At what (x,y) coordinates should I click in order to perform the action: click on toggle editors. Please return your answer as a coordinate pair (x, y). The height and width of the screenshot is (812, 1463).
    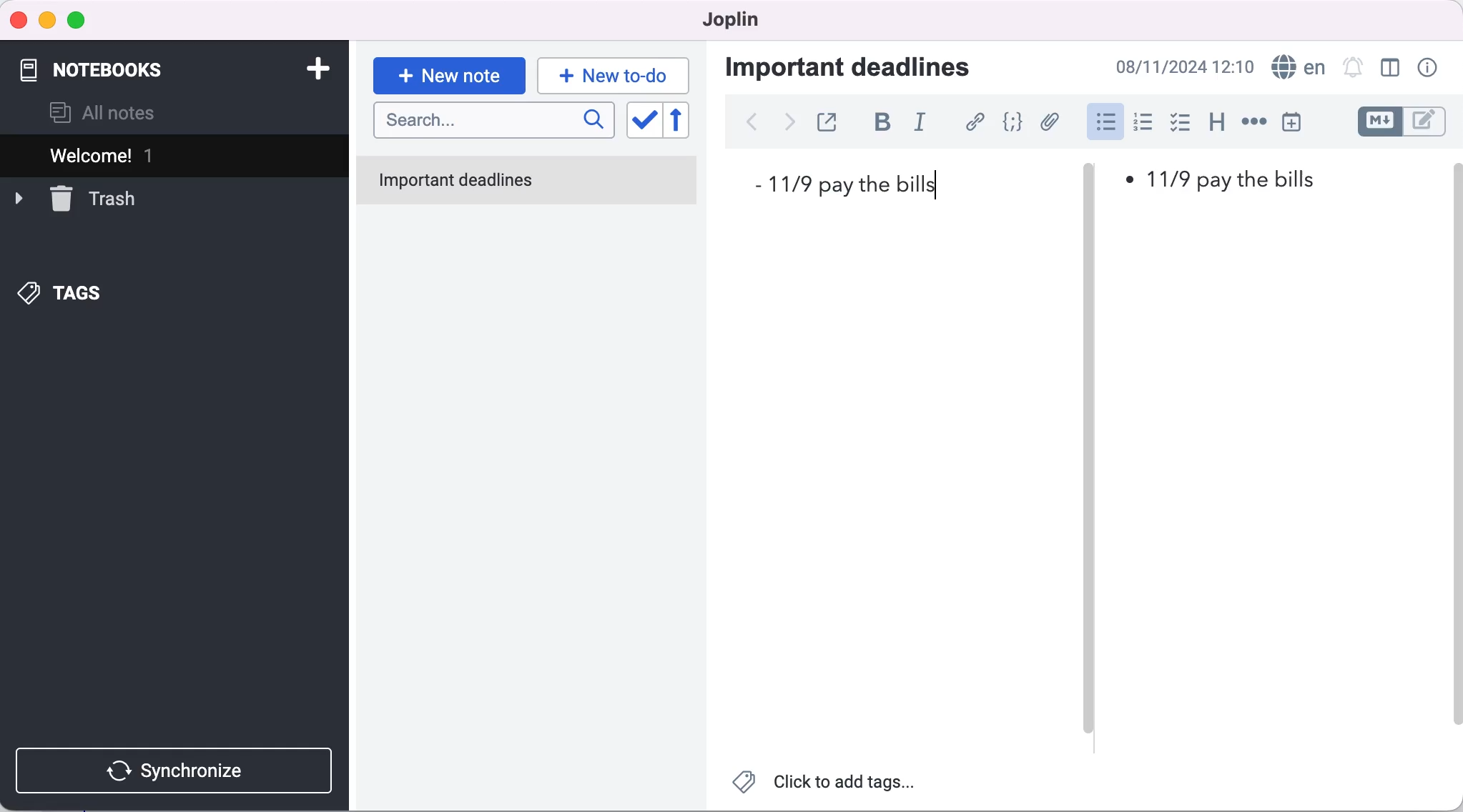
    Looking at the image, I should click on (1407, 124).